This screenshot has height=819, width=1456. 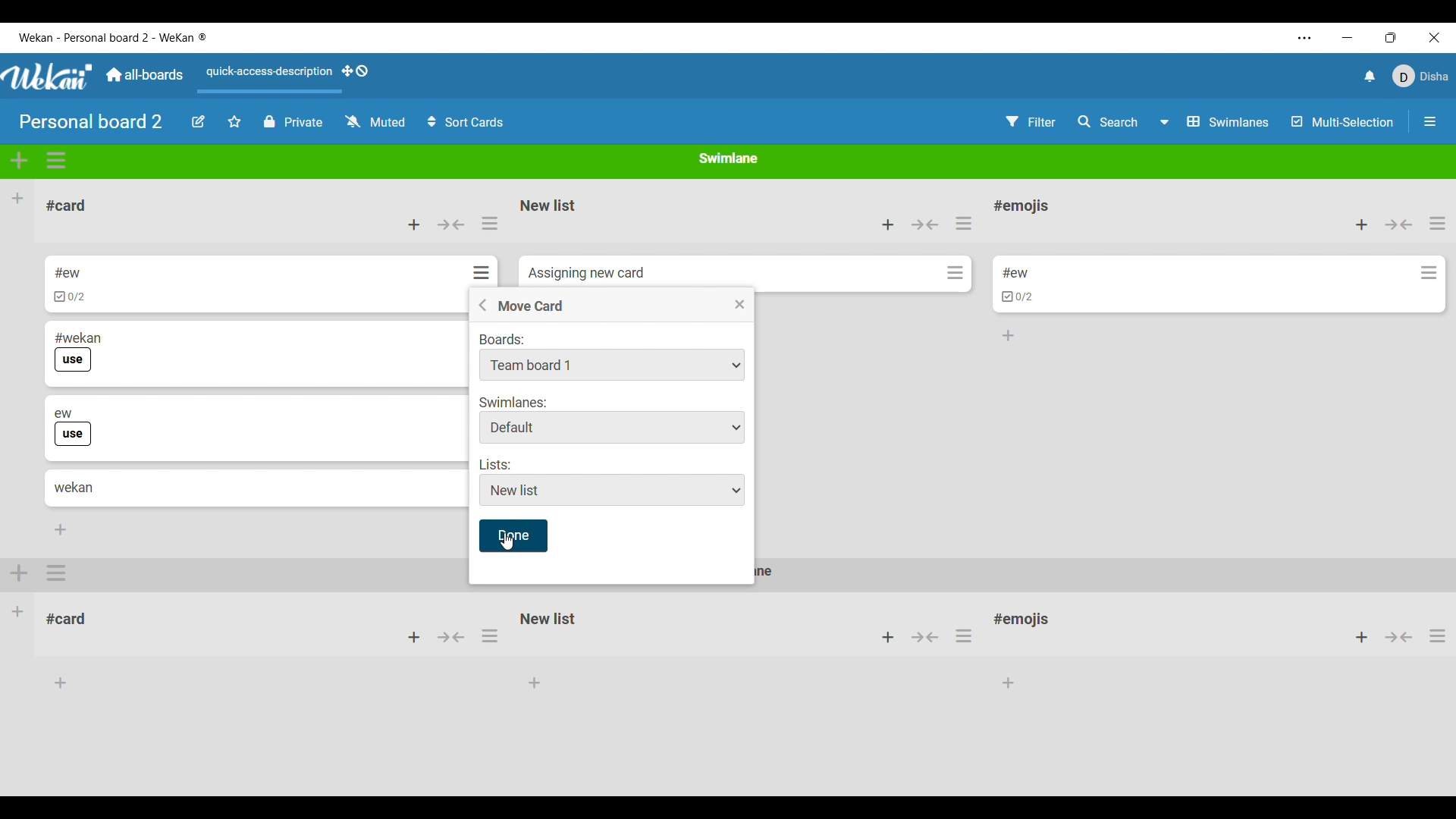 What do you see at coordinates (74, 617) in the screenshot?
I see `#card` at bounding box center [74, 617].